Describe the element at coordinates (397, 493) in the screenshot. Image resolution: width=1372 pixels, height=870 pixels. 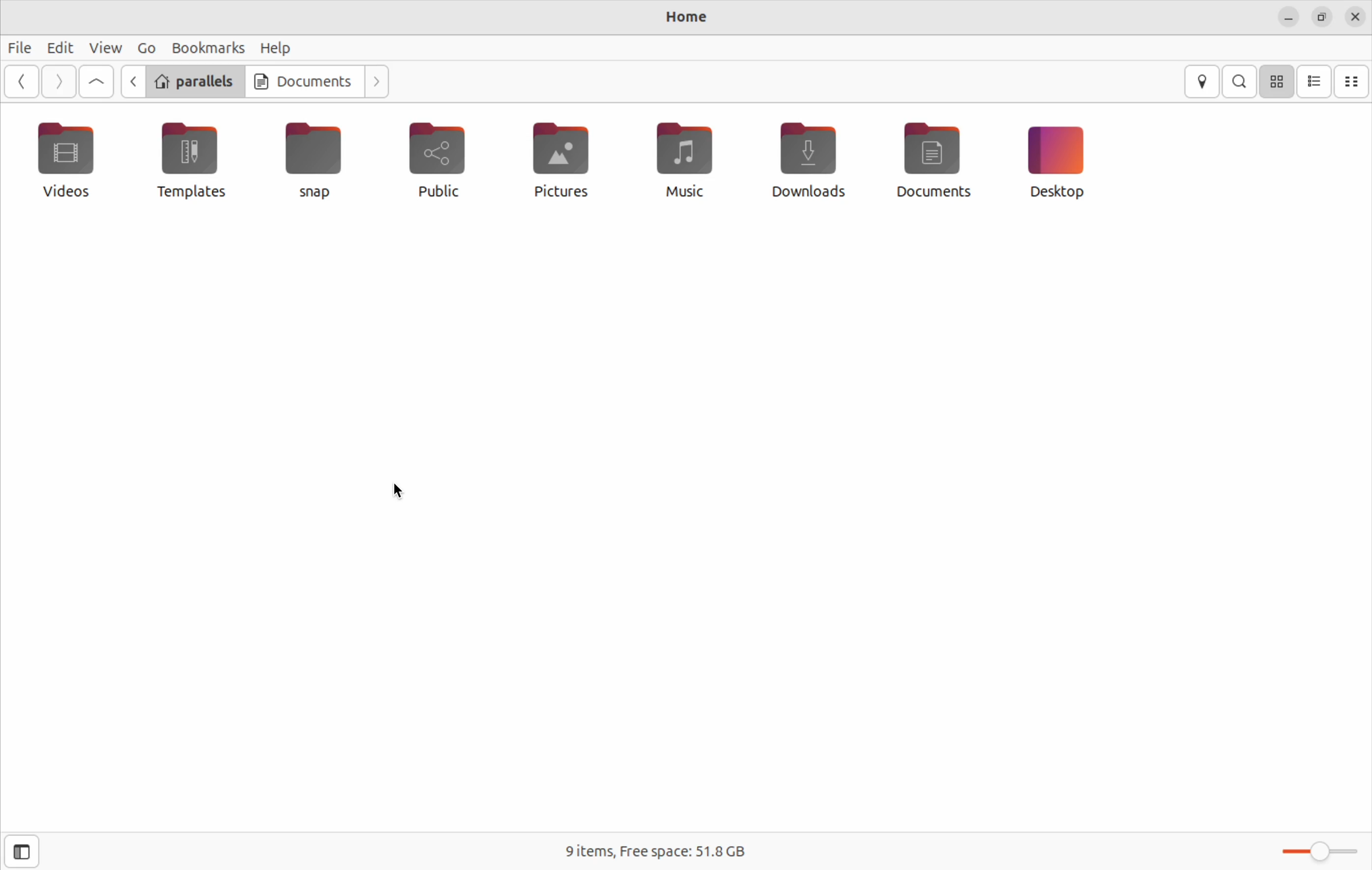
I see `cursor` at that location.